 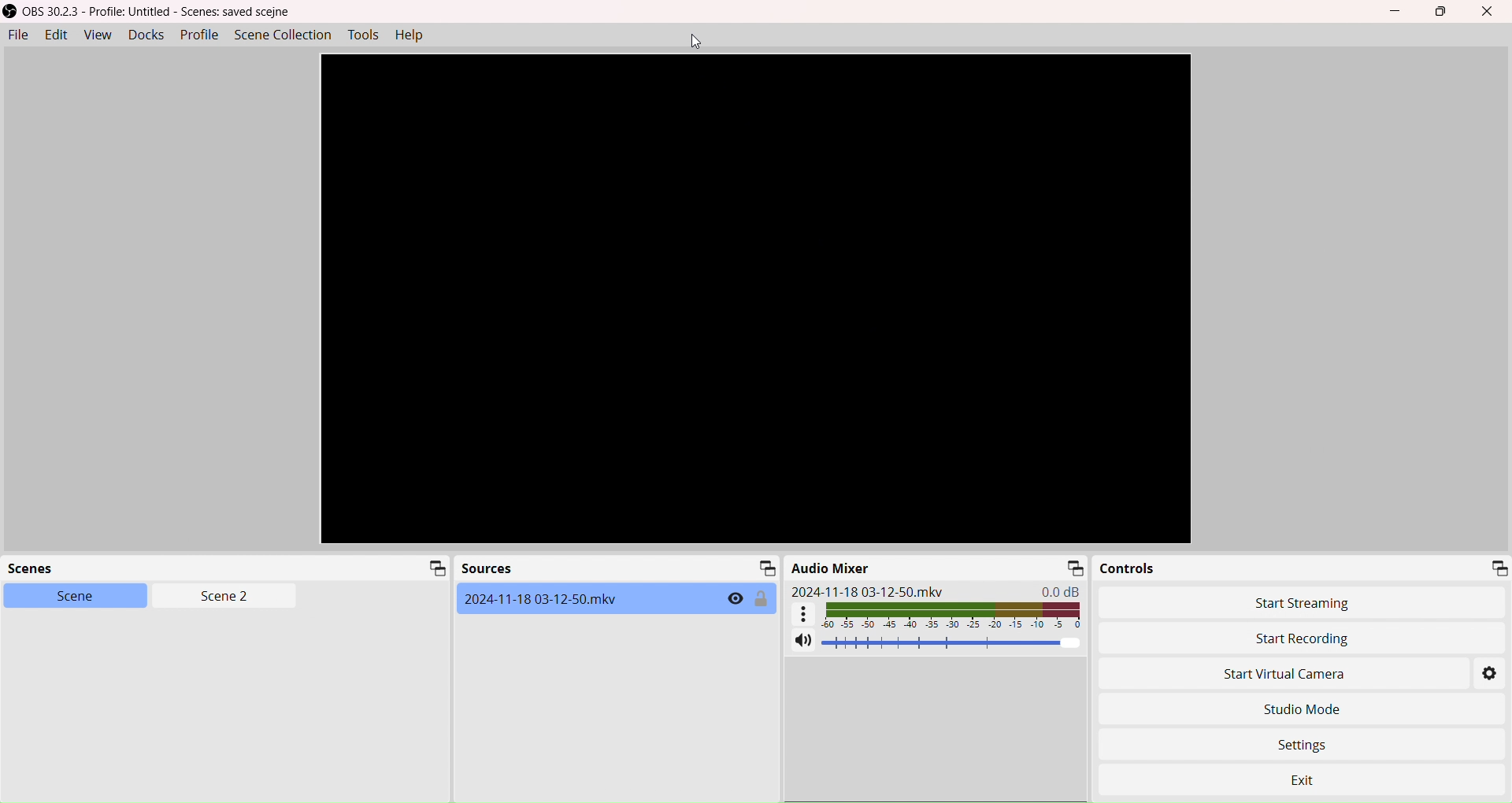 I want to click on Start Streaming, so click(x=1306, y=603).